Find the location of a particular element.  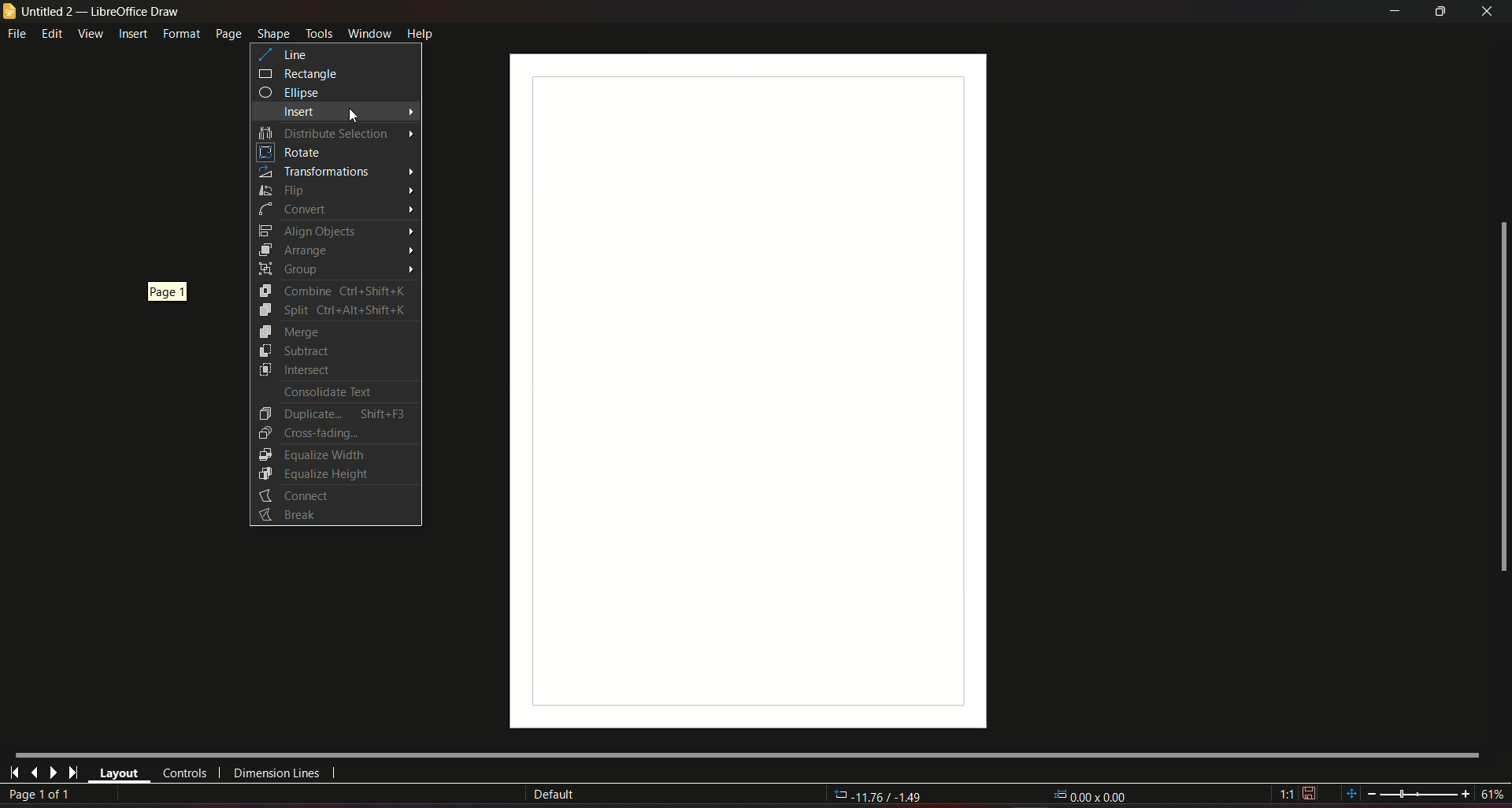

line is located at coordinates (289, 54).